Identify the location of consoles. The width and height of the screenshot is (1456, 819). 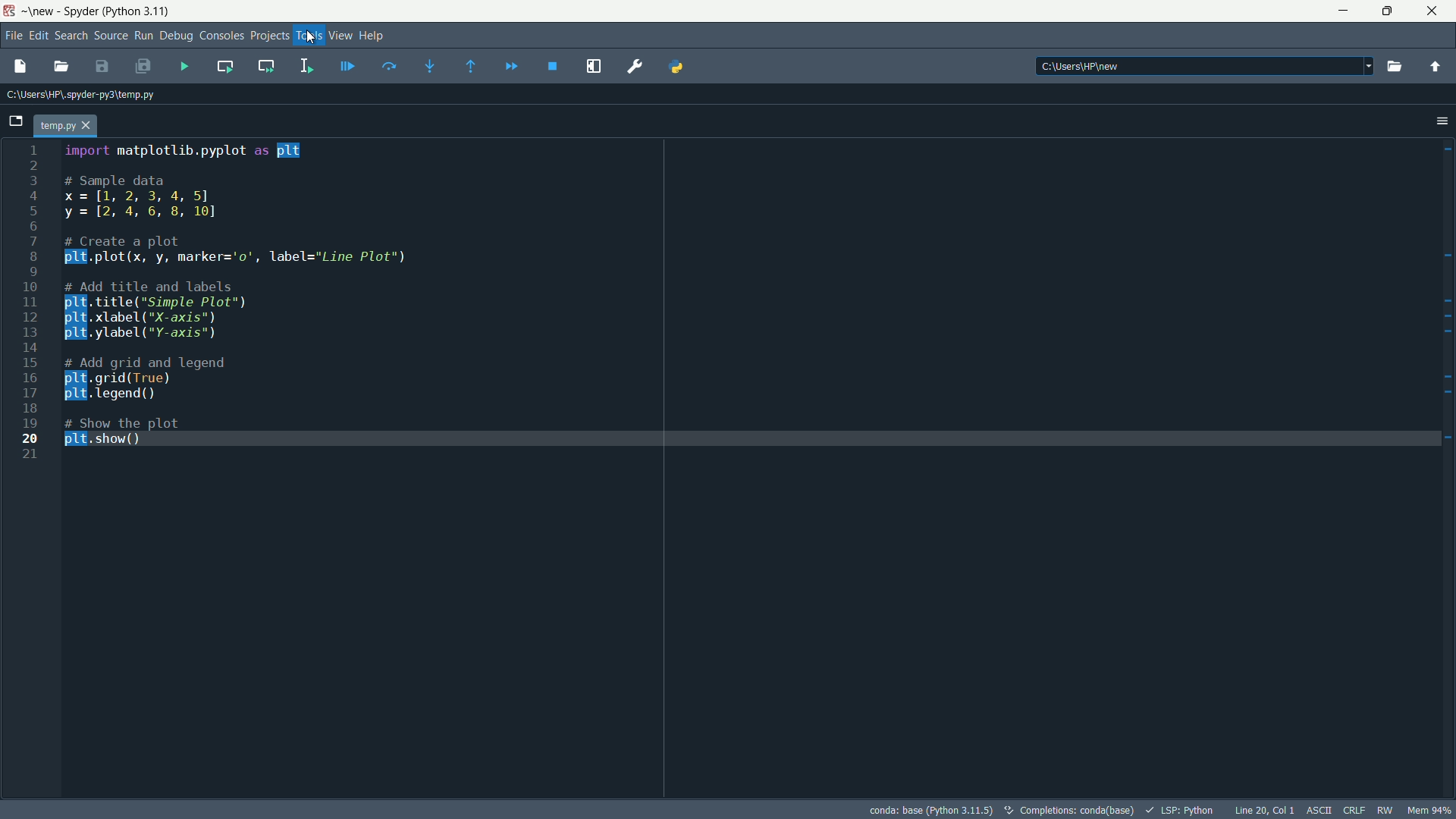
(221, 35).